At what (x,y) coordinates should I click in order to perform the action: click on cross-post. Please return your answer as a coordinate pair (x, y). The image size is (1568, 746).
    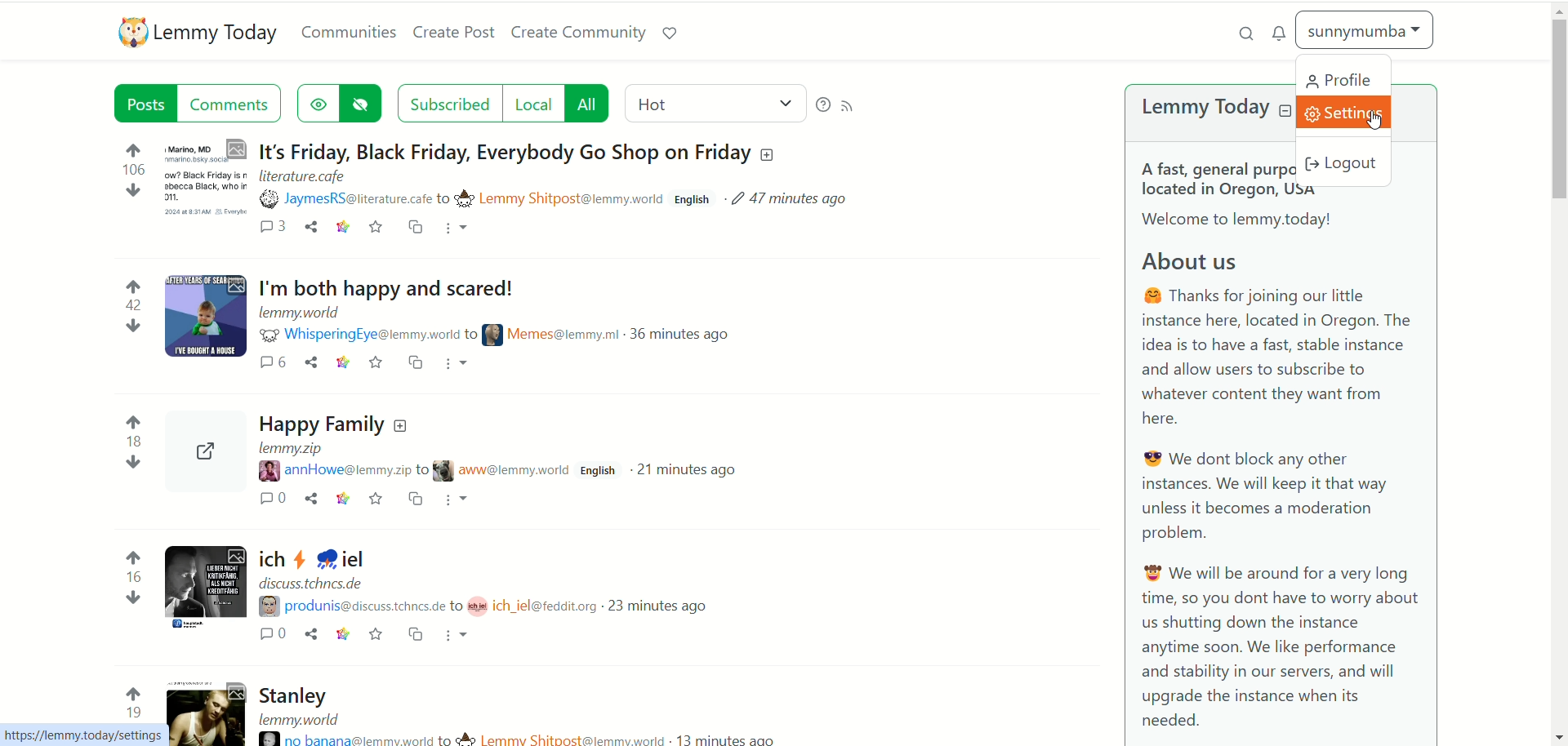
    Looking at the image, I should click on (416, 229).